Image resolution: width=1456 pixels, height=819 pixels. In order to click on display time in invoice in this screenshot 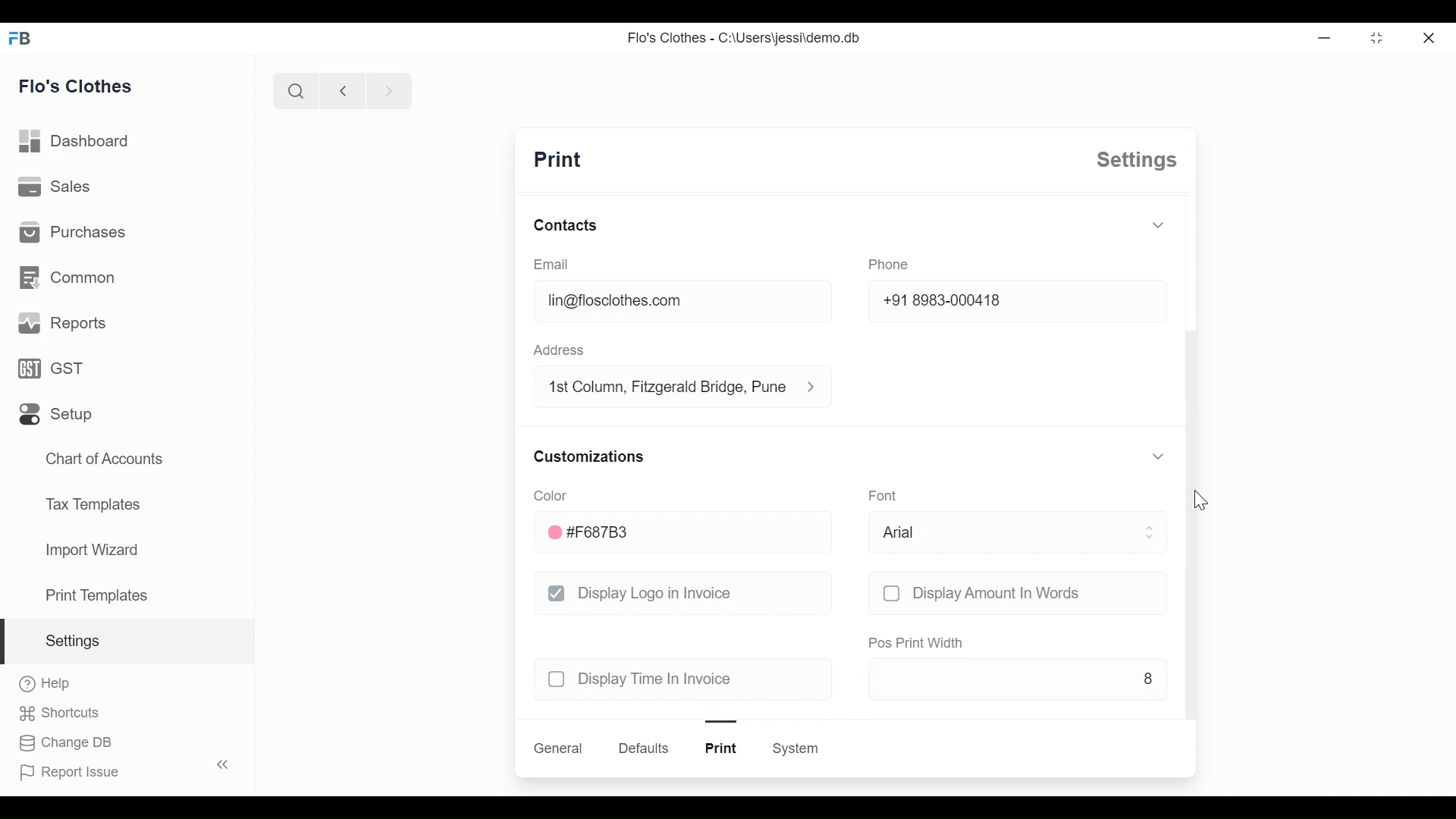, I will do `click(660, 679)`.